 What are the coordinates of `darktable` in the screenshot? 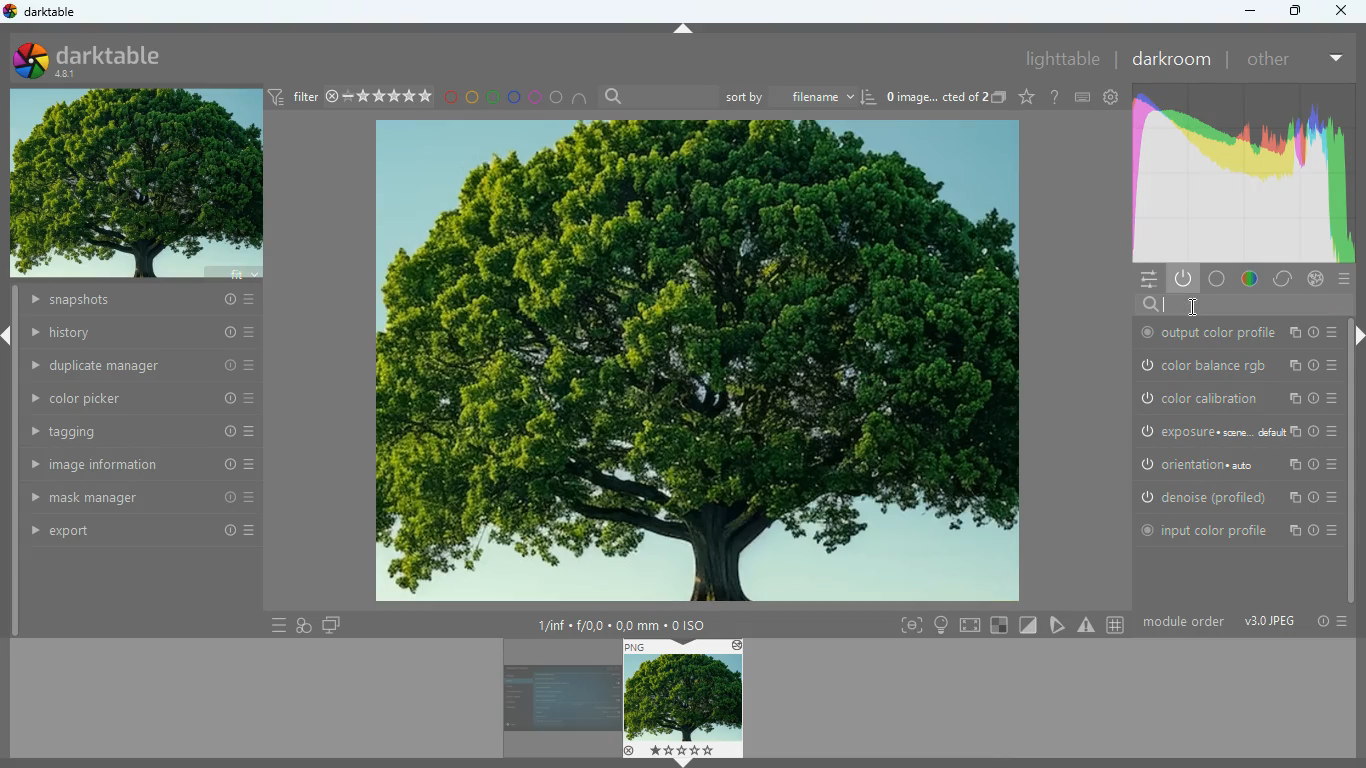 It's located at (116, 57).